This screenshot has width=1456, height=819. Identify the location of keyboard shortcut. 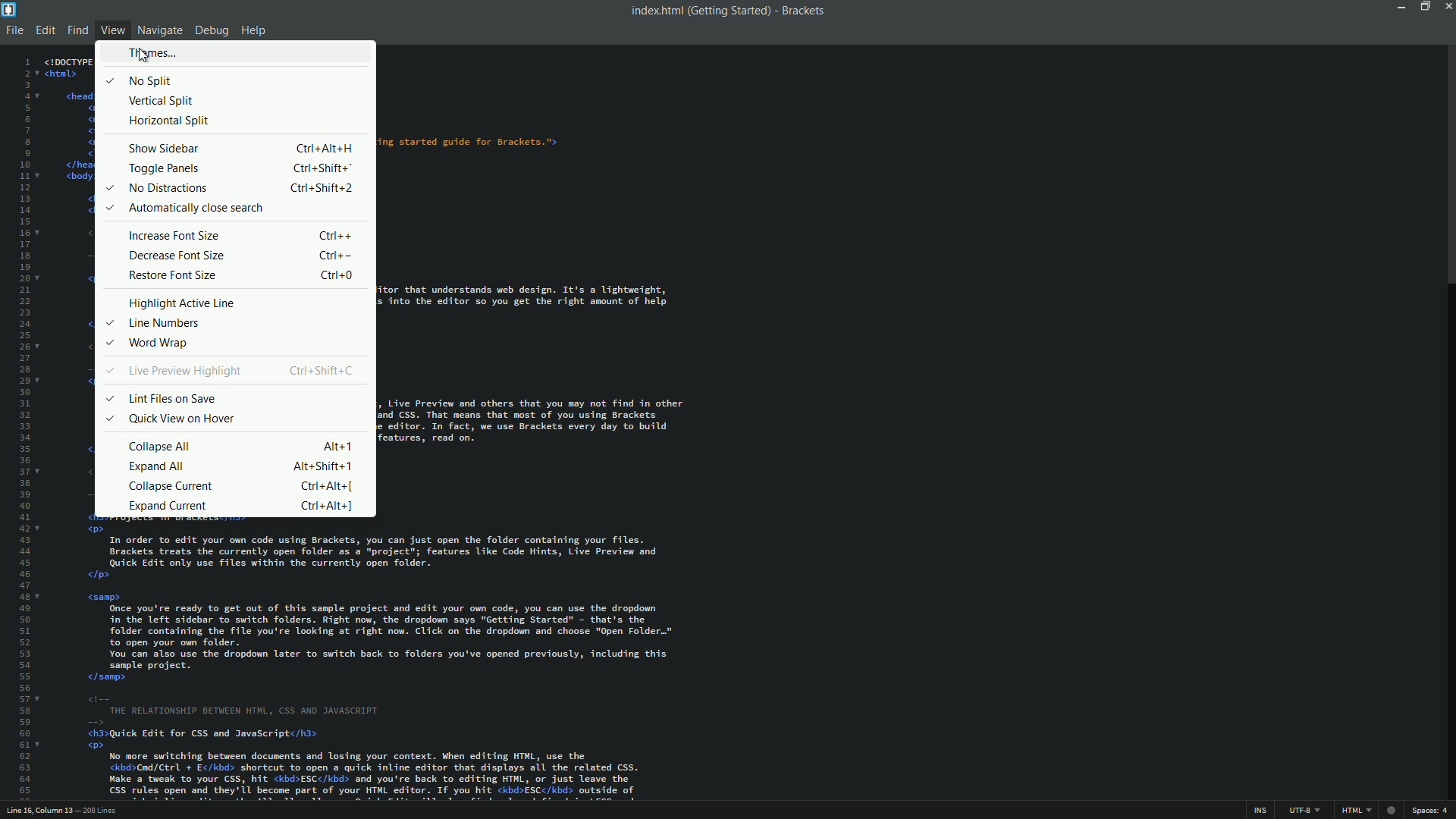
(327, 486).